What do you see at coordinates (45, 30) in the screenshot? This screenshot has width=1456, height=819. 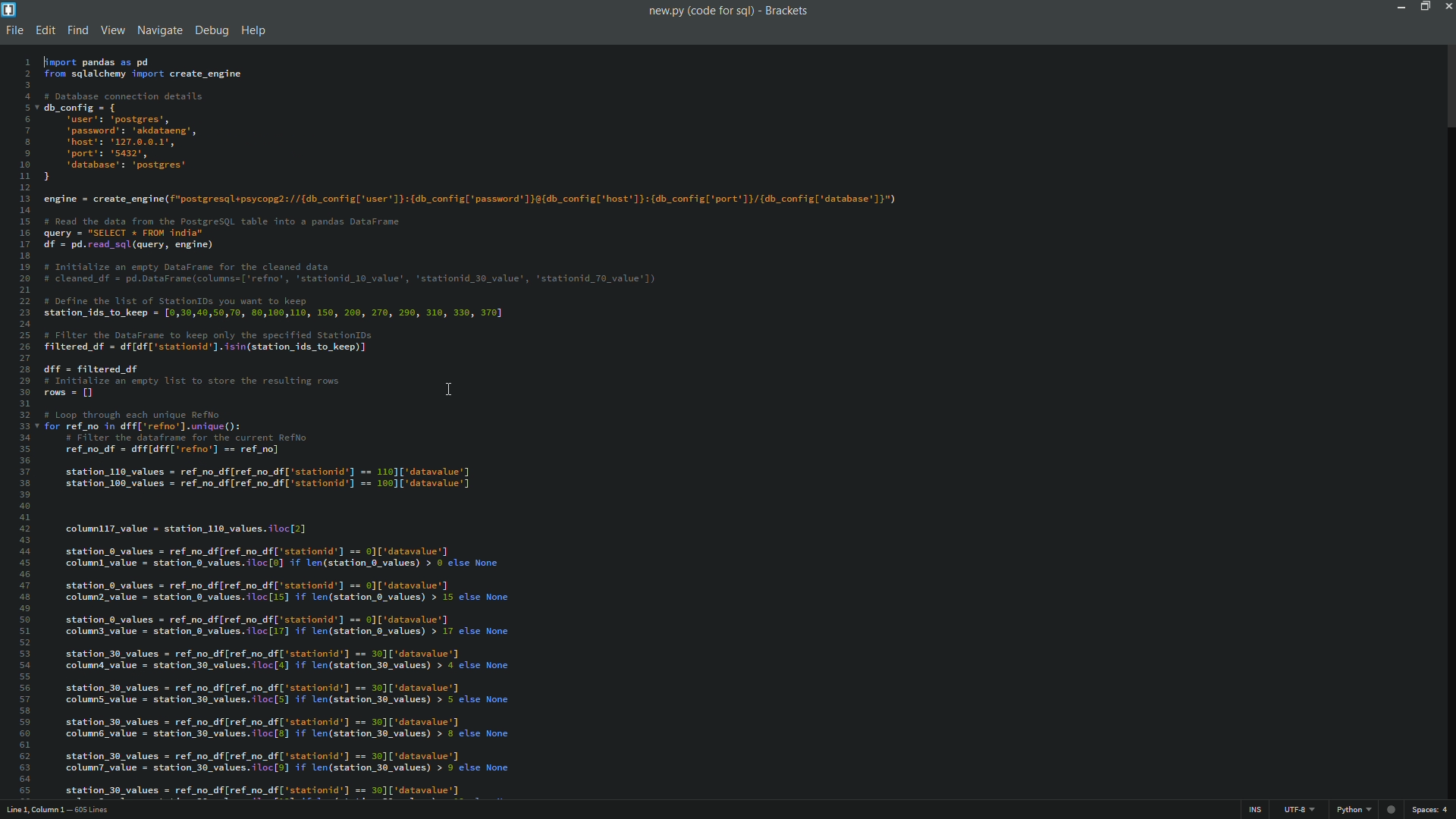 I see `edit menu` at bounding box center [45, 30].